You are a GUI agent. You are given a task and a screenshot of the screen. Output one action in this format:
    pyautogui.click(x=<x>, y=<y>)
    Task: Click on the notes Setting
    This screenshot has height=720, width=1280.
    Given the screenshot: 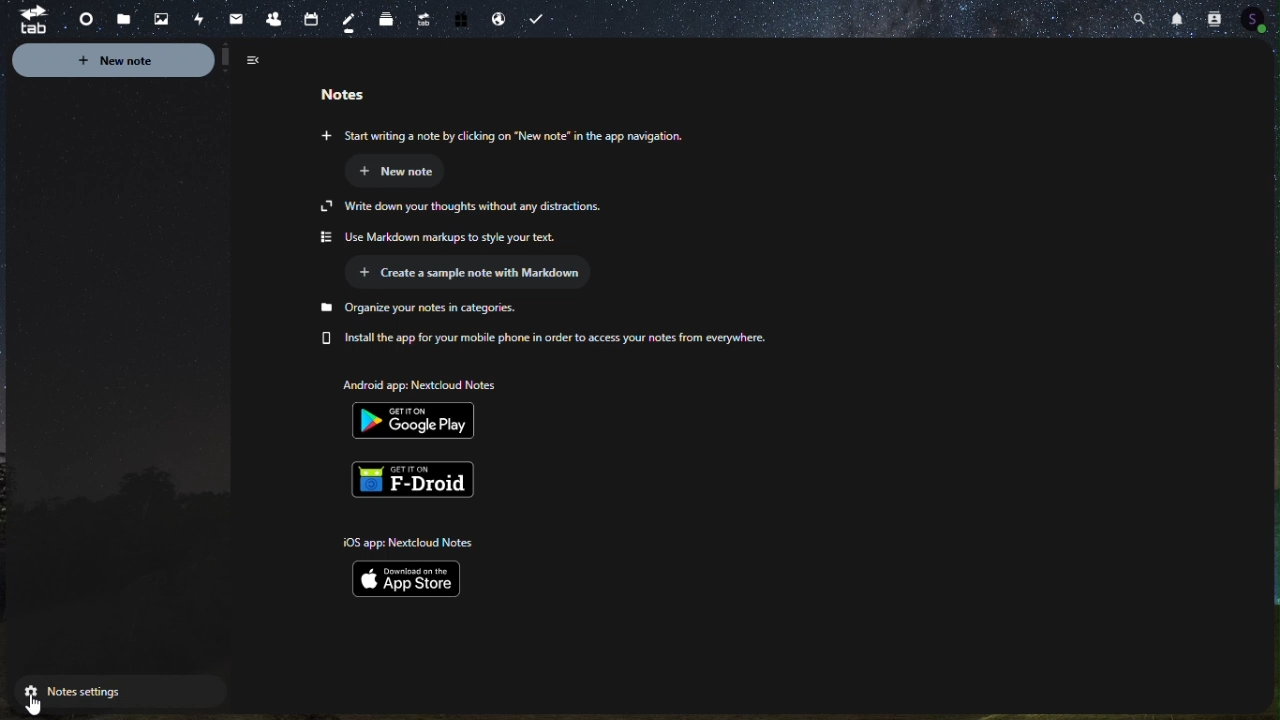 What is the action you would take?
    pyautogui.click(x=106, y=694)
    